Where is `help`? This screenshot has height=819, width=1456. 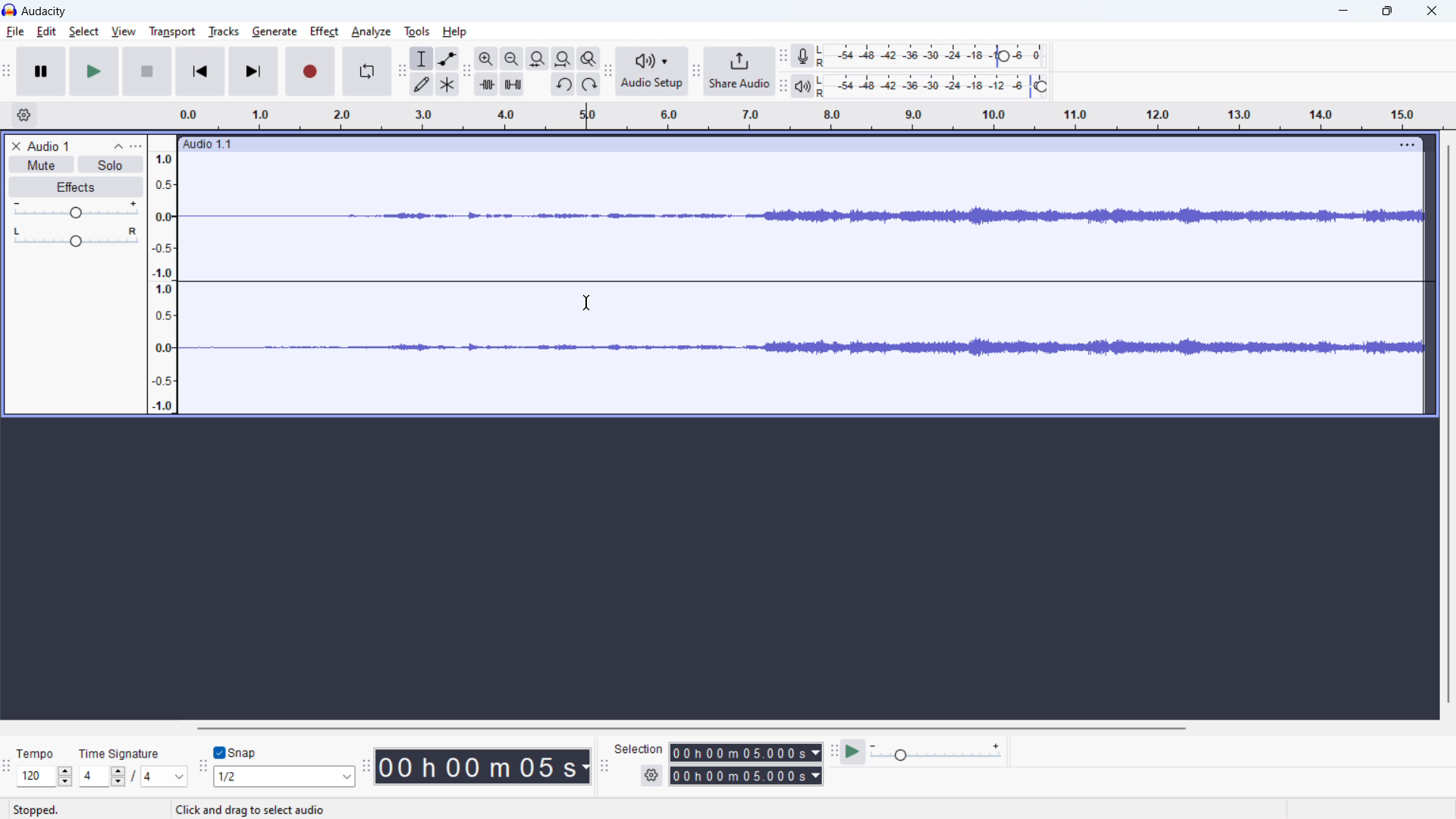 help is located at coordinates (456, 32).